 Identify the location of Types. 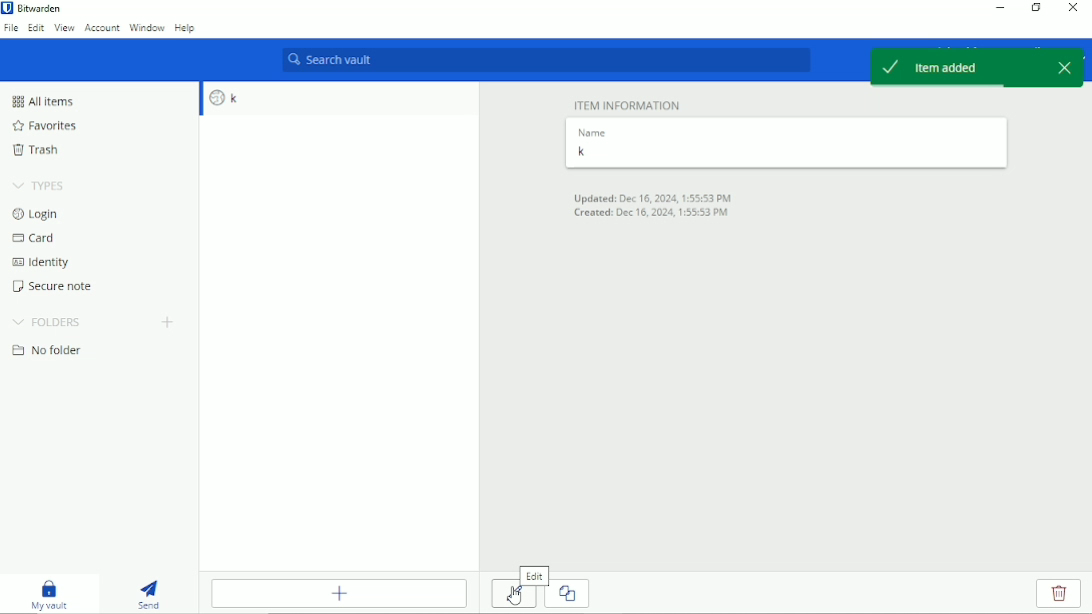
(38, 186).